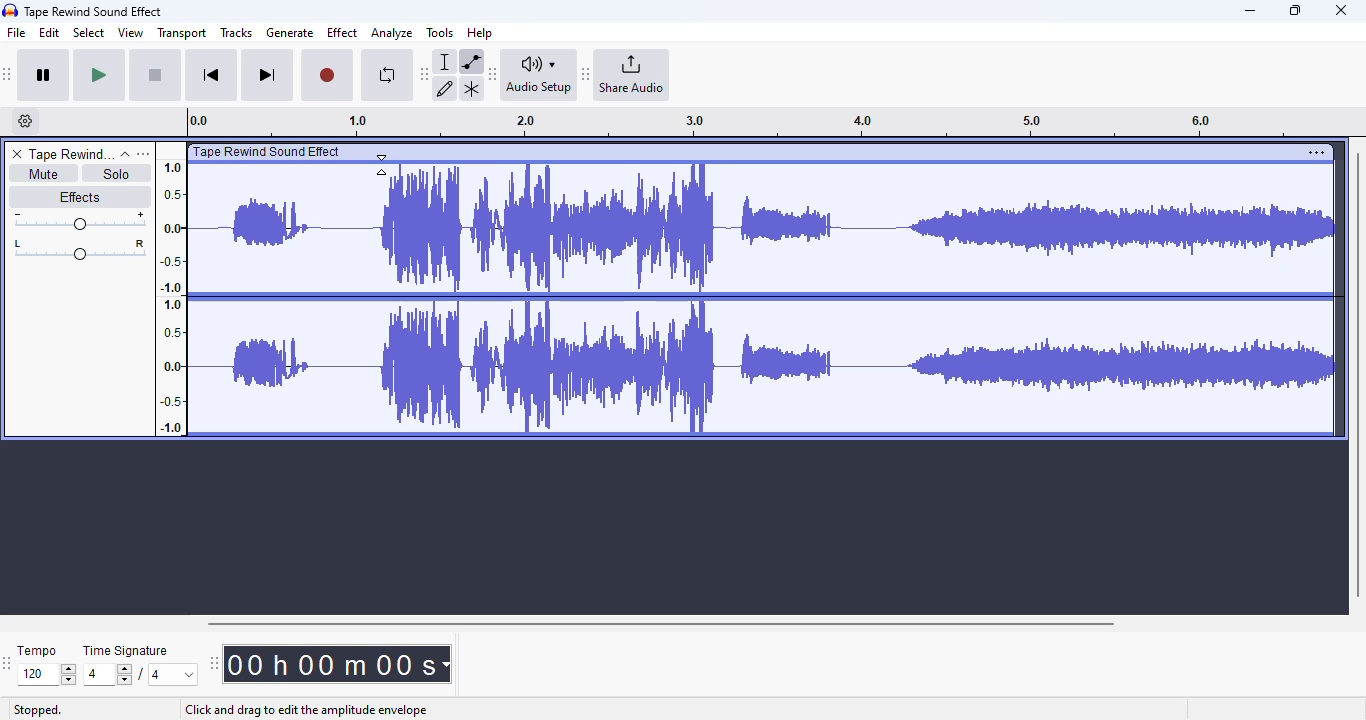  Describe the element at coordinates (266, 76) in the screenshot. I see `skip to end` at that location.